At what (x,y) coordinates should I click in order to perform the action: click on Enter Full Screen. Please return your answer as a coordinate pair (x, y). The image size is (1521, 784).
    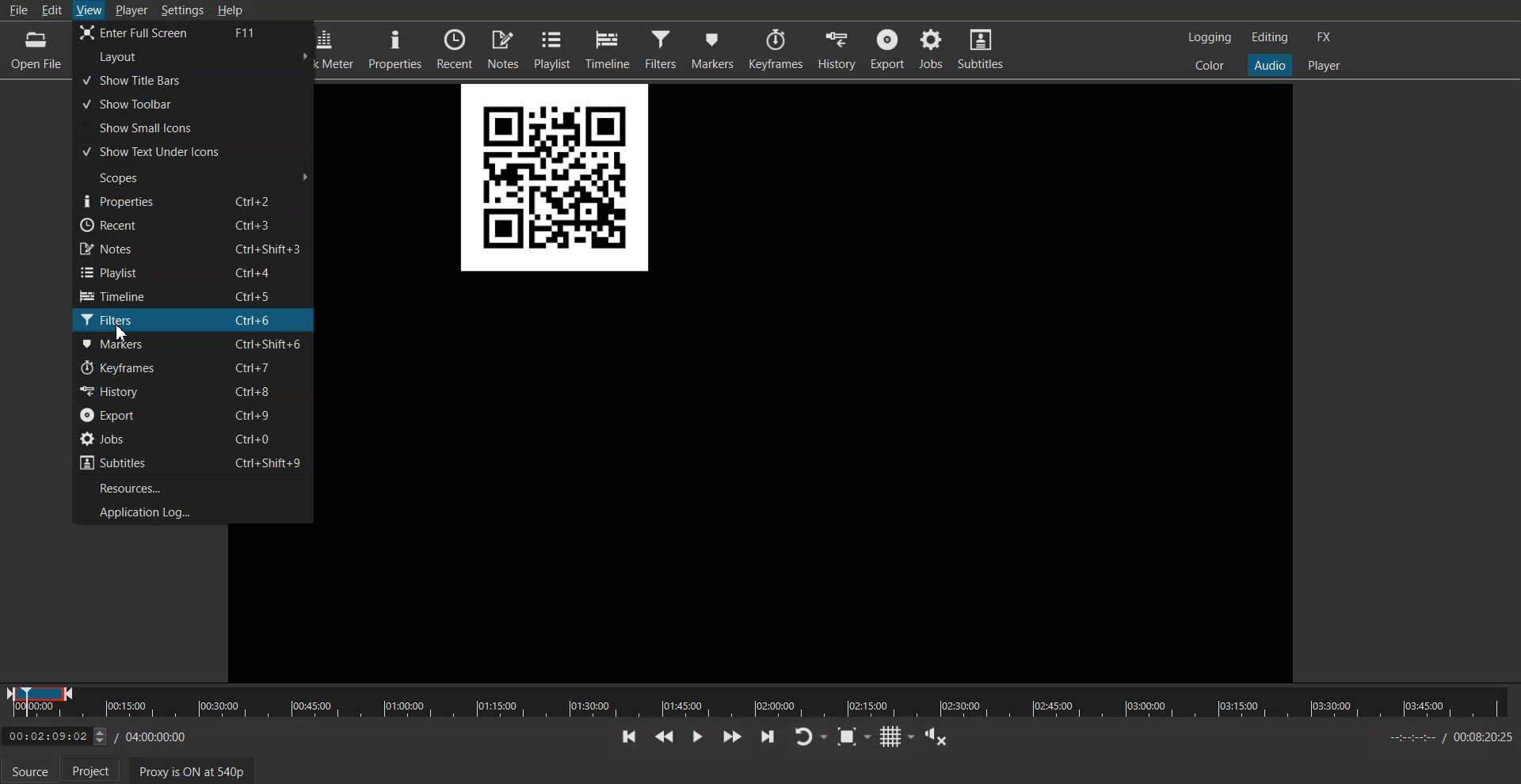
    Looking at the image, I should click on (194, 33).